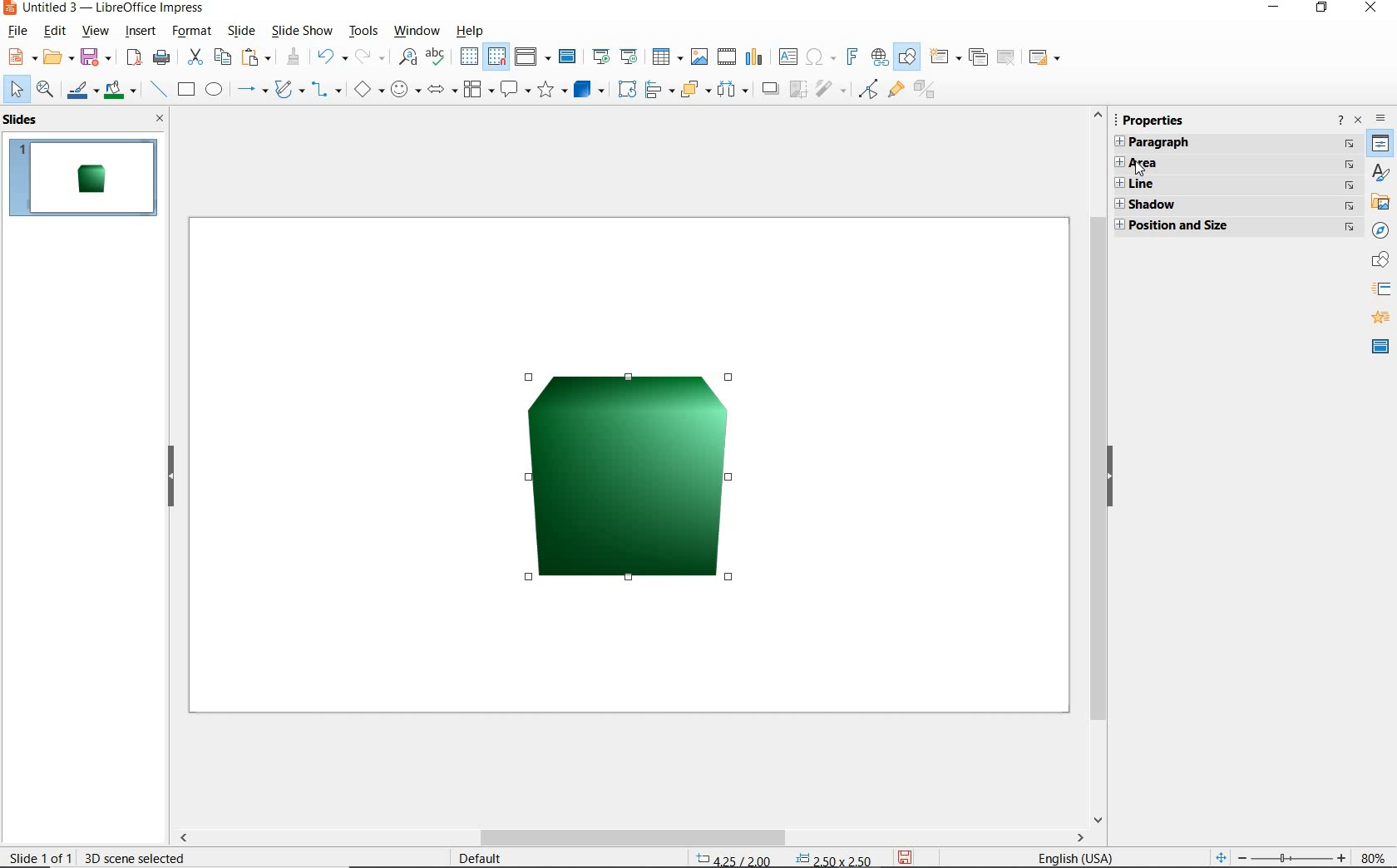 The width and height of the screenshot is (1397, 868). What do you see at coordinates (95, 59) in the screenshot?
I see `save` at bounding box center [95, 59].